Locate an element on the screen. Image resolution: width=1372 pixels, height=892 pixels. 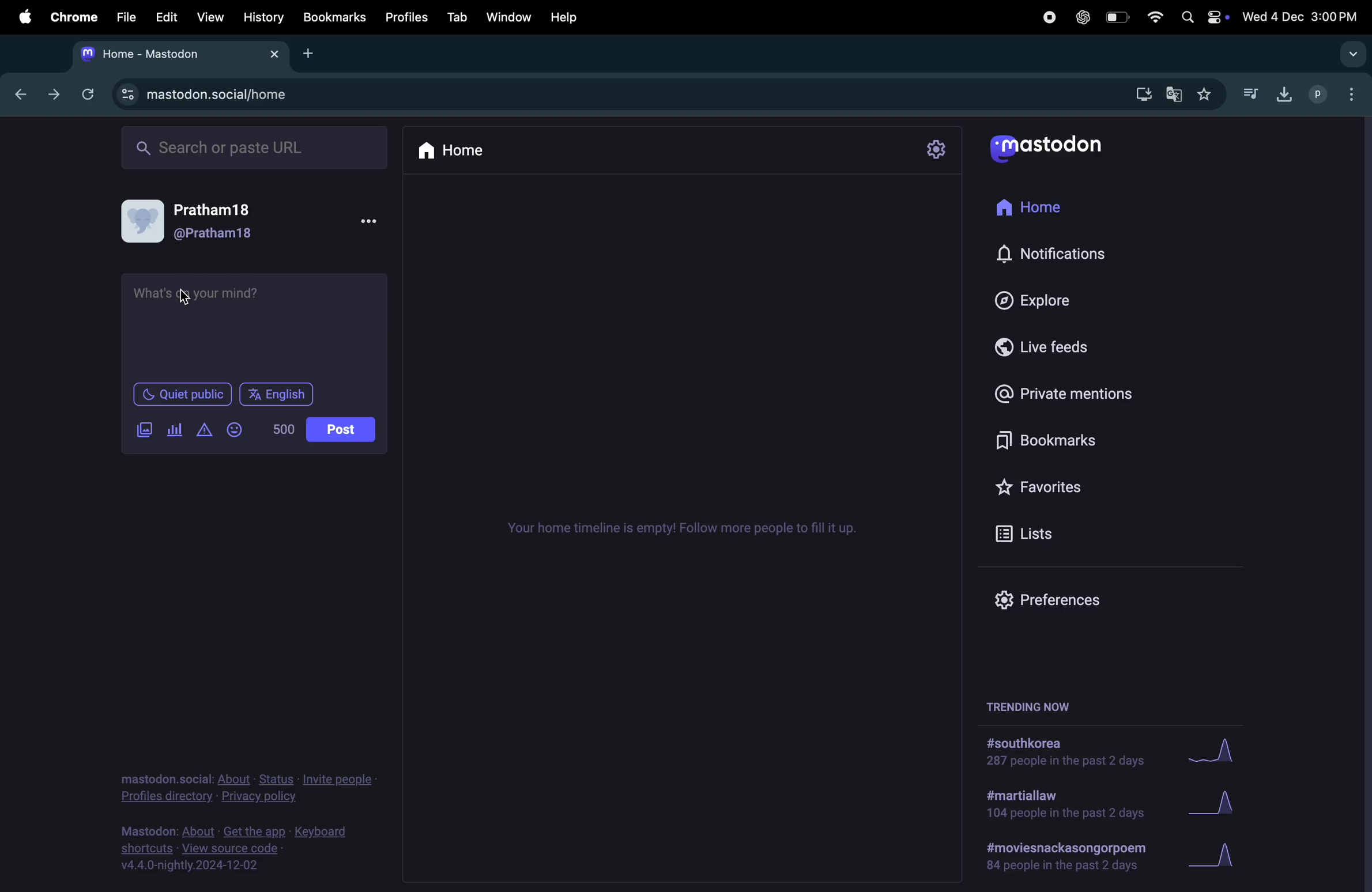
poll is located at coordinates (175, 430).